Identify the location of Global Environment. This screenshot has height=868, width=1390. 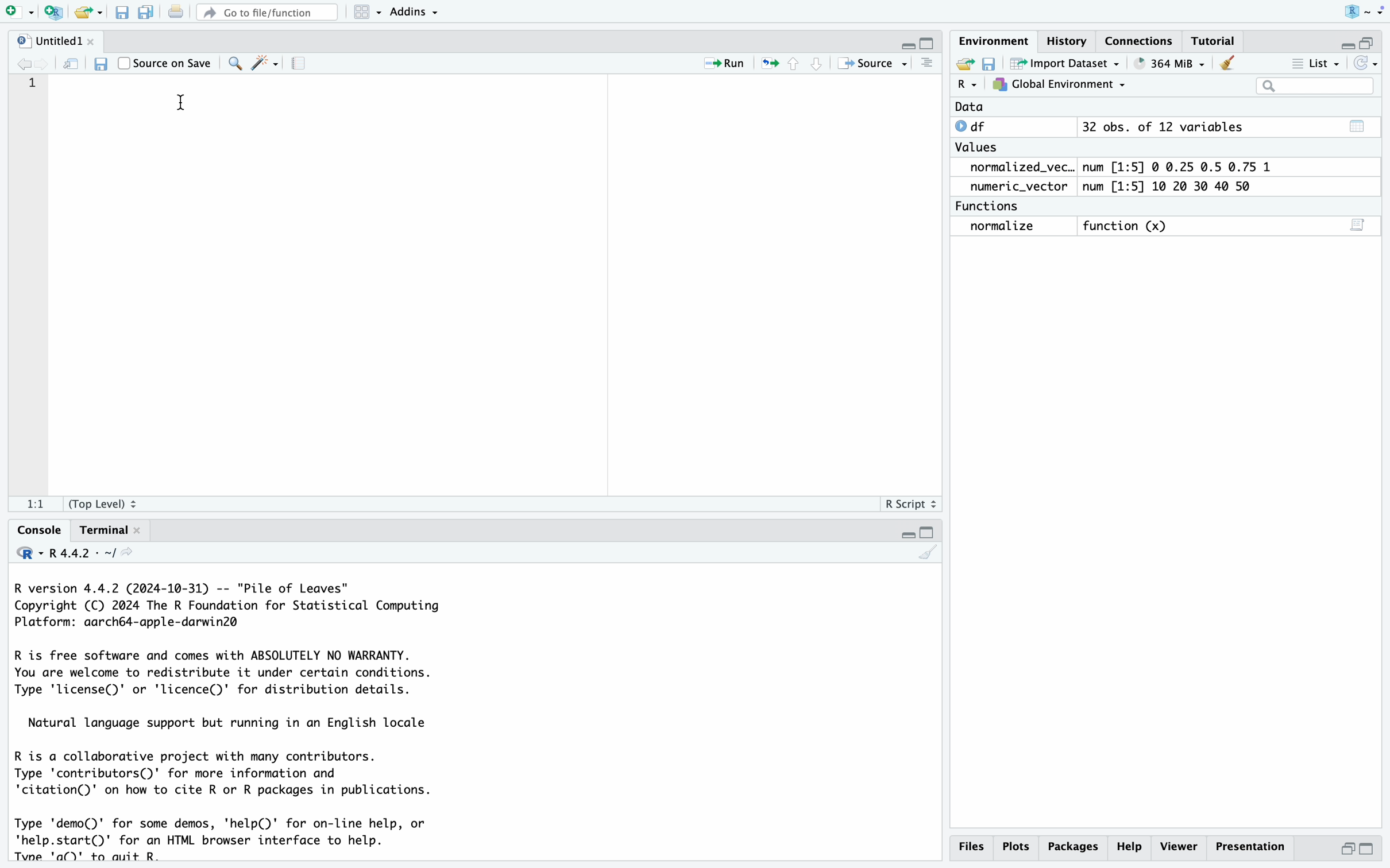
(1060, 85).